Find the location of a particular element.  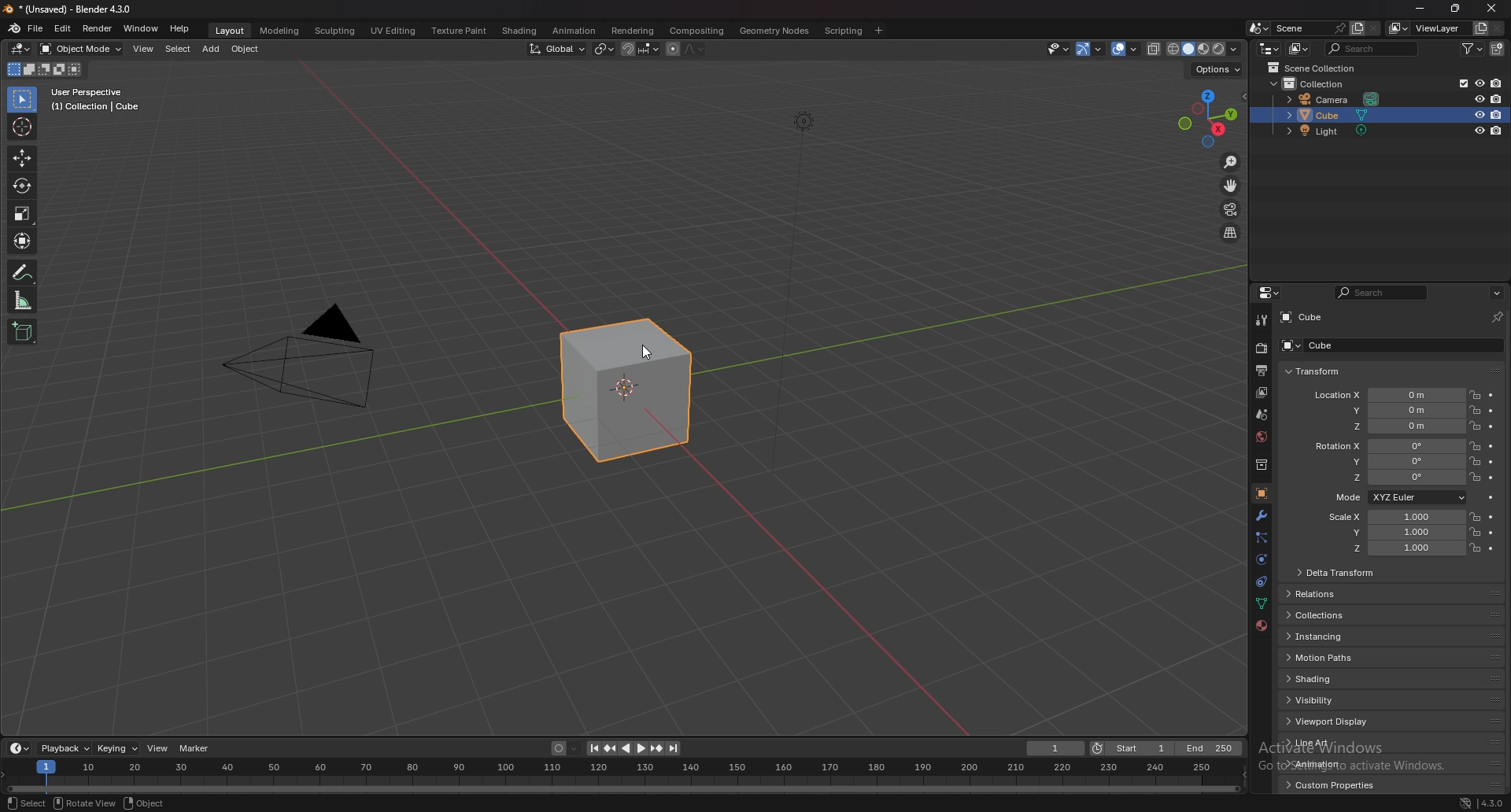

lock is located at coordinates (1474, 516).